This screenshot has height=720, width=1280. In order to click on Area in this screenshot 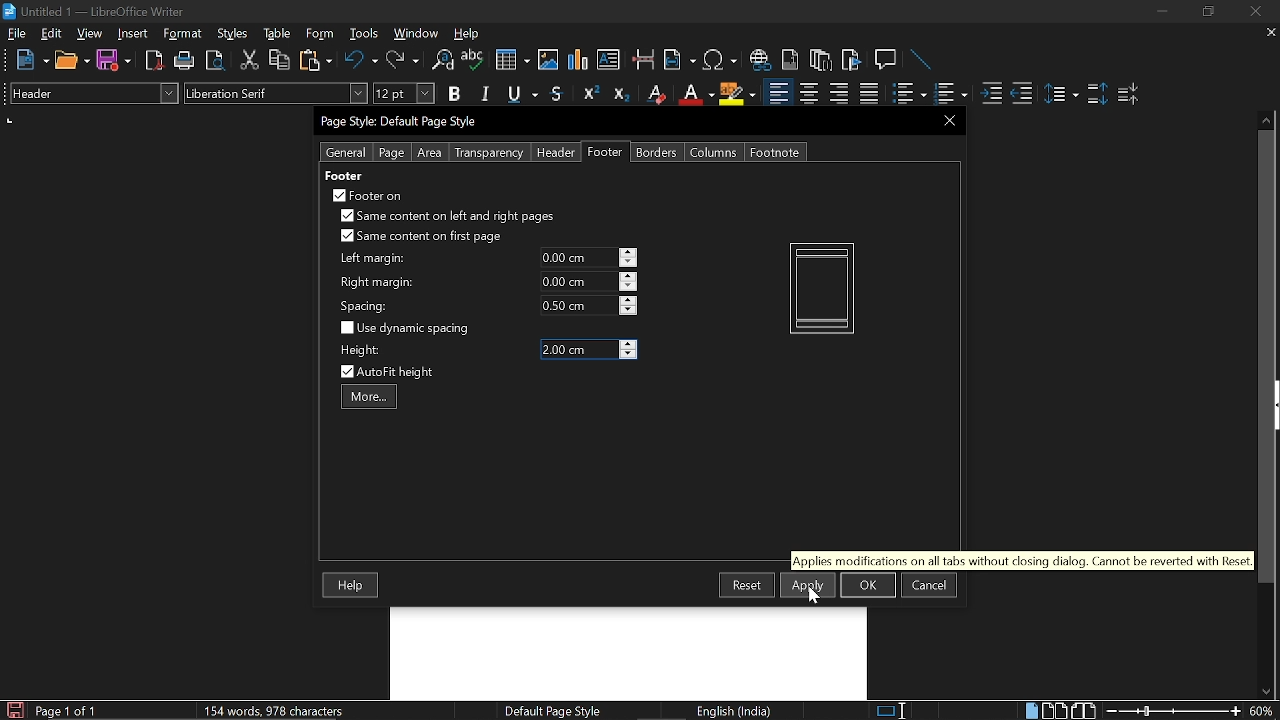, I will do `click(430, 153)`.